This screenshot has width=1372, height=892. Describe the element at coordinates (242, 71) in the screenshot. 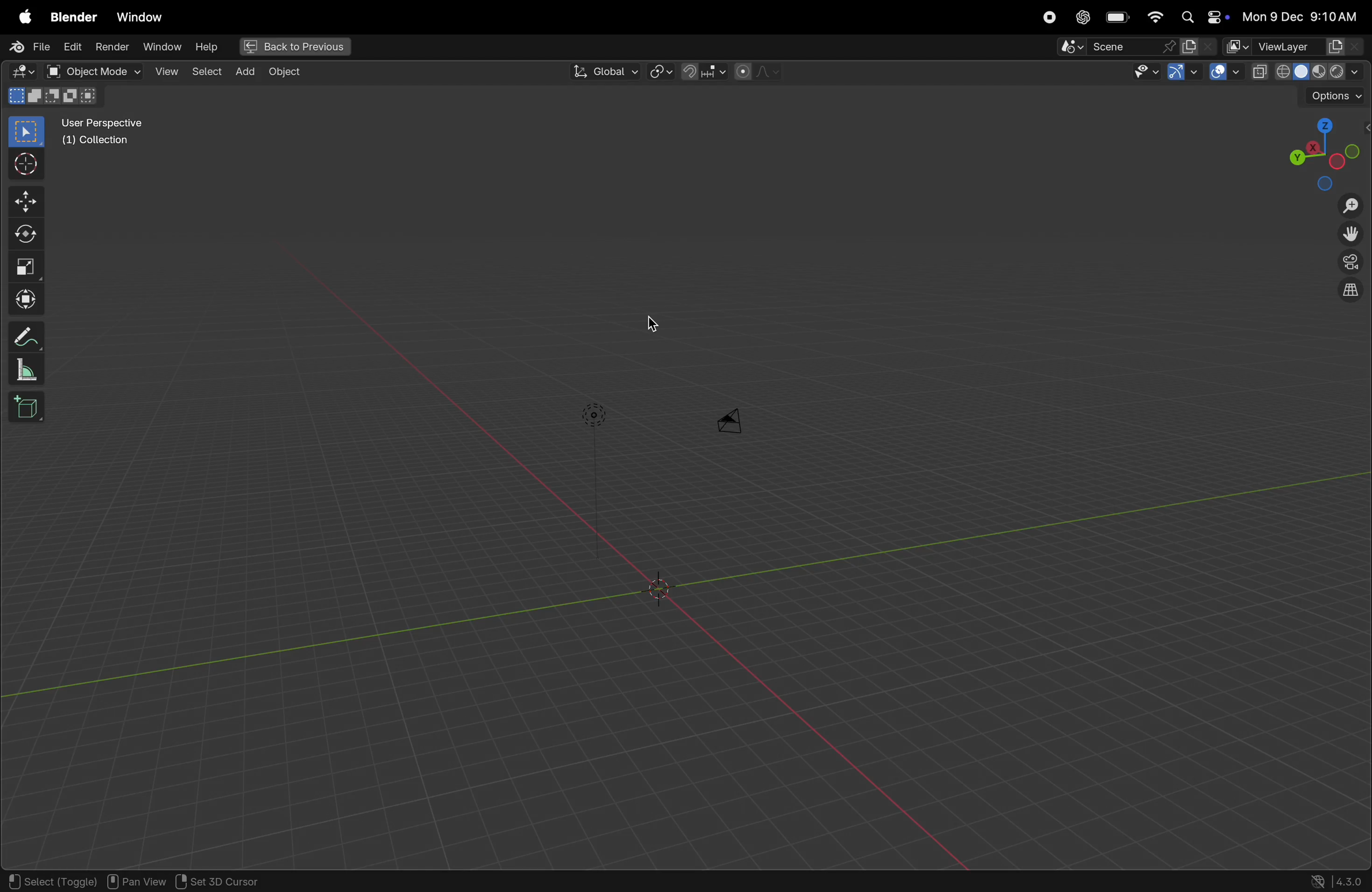

I see `add` at that location.